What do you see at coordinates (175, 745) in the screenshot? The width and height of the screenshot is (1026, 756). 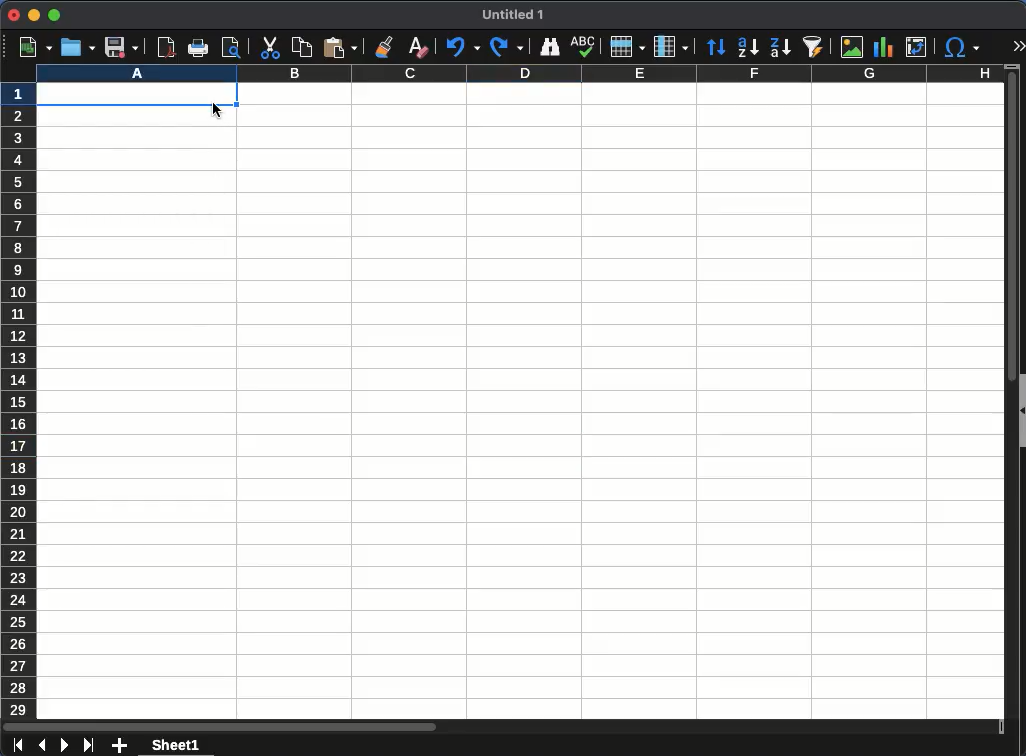 I see `sheet 1` at bounding box center [175, 745].